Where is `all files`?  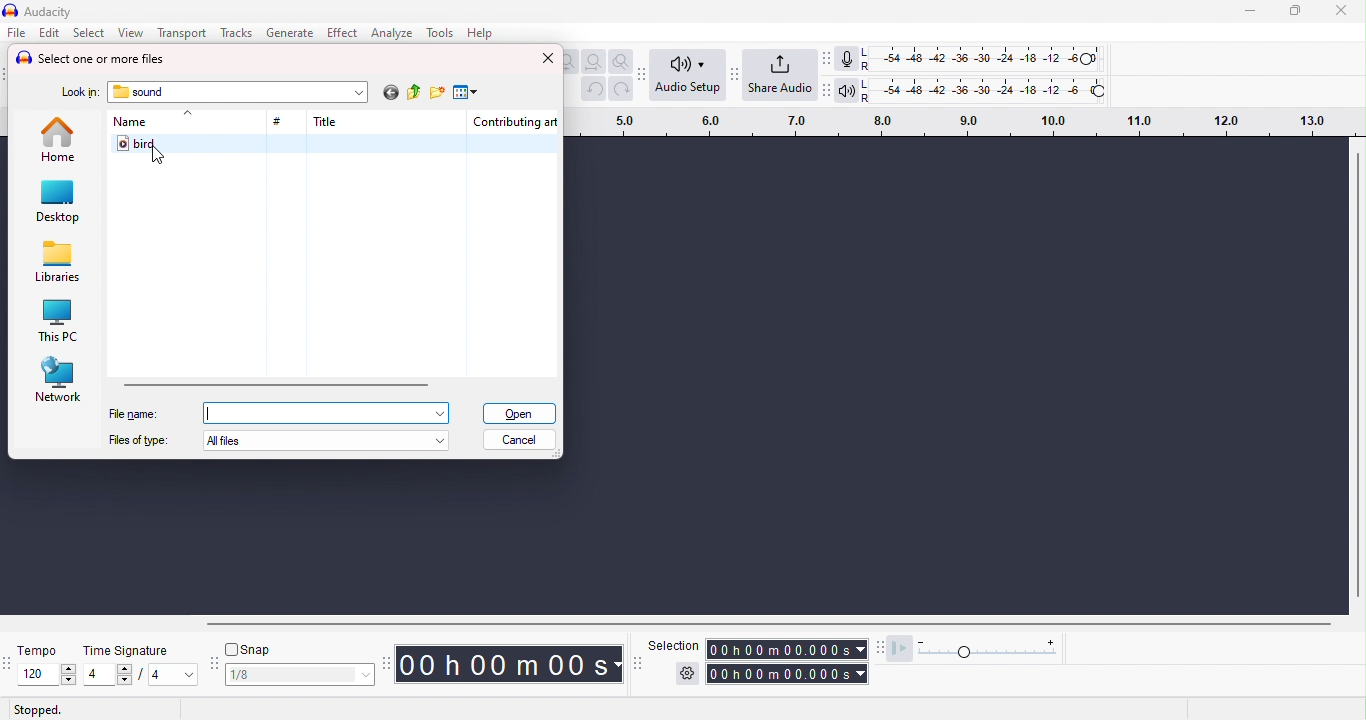
all files is located at coordinates (331, 440).